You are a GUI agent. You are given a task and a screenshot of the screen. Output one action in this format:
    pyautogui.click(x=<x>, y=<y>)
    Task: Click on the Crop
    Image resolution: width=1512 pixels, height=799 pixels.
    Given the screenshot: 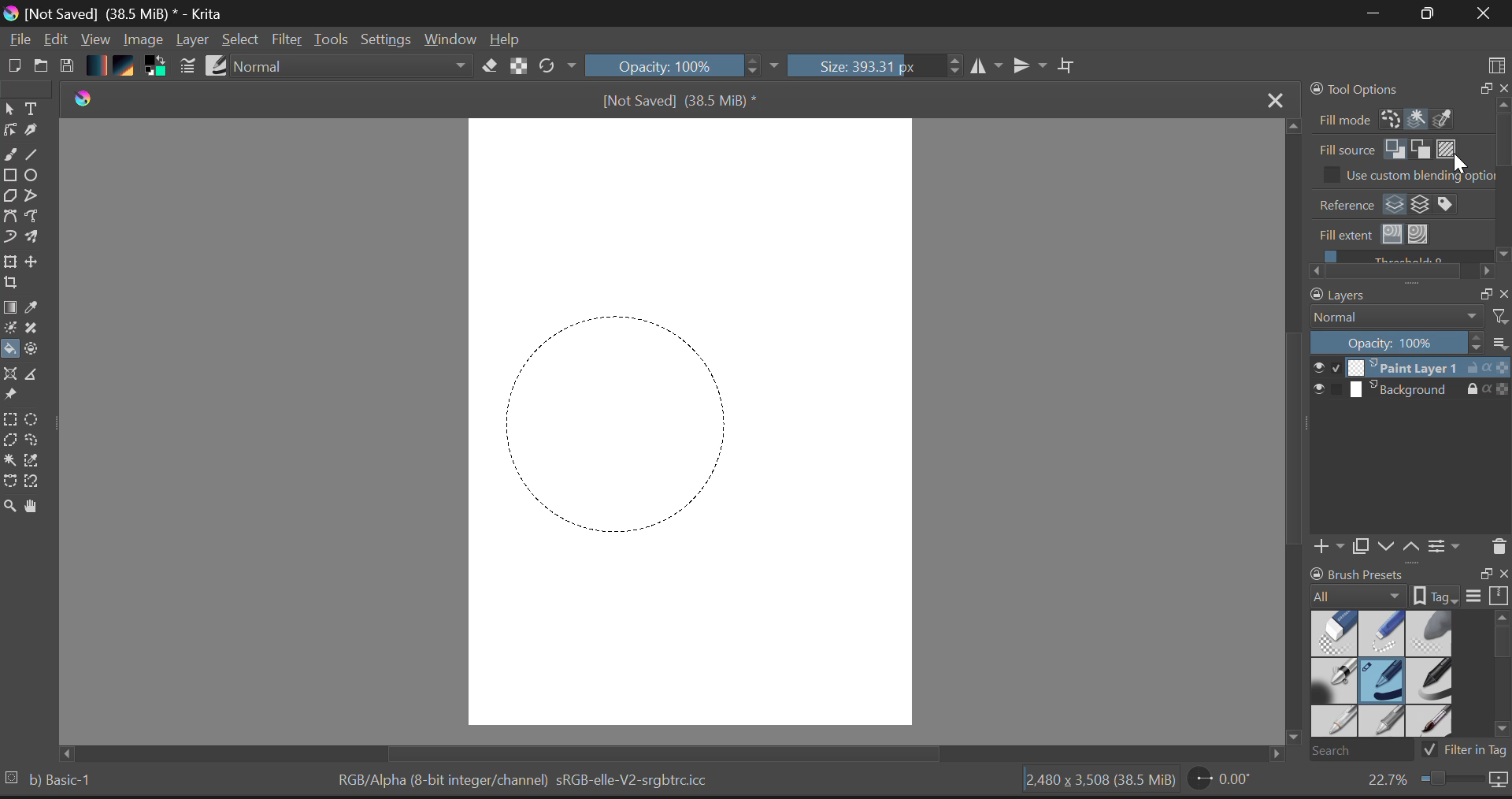 What is the action you would take?
    pyautogui.click(x=9, y=287)
    